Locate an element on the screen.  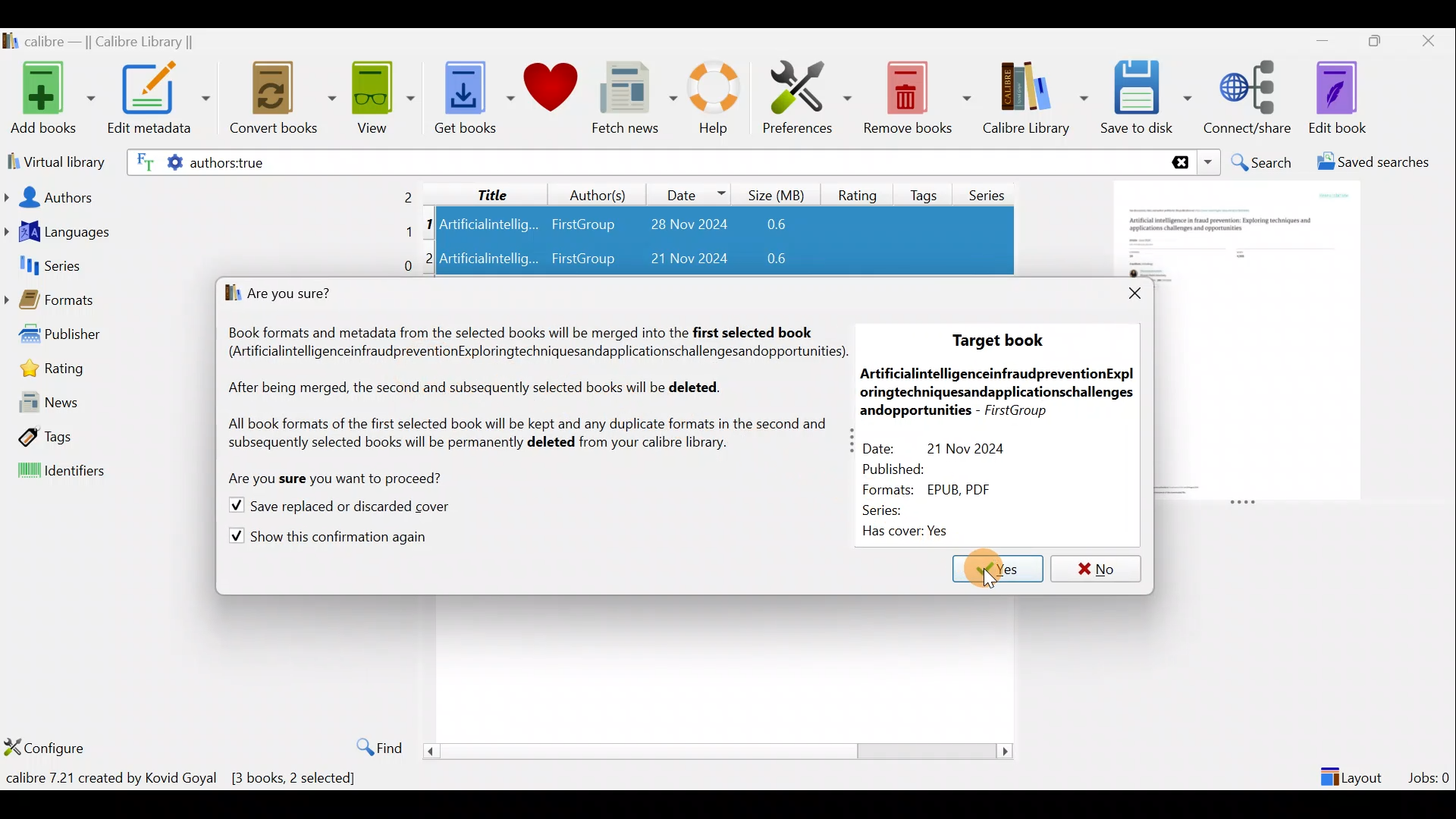
Yes is located at coordinates (986, 568).